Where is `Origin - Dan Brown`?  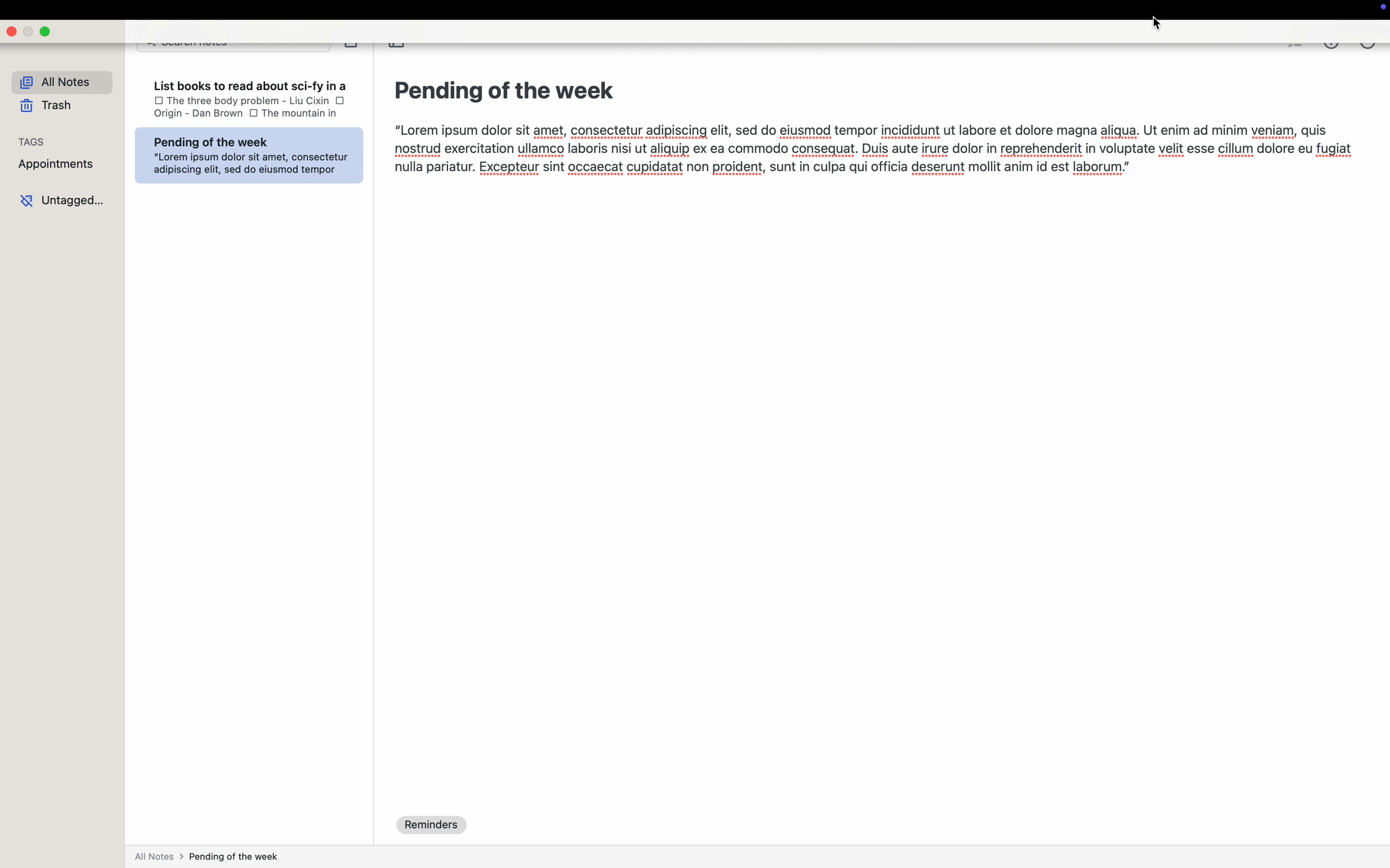 Origin - Dan Brown is located at coordinates (194, 116).